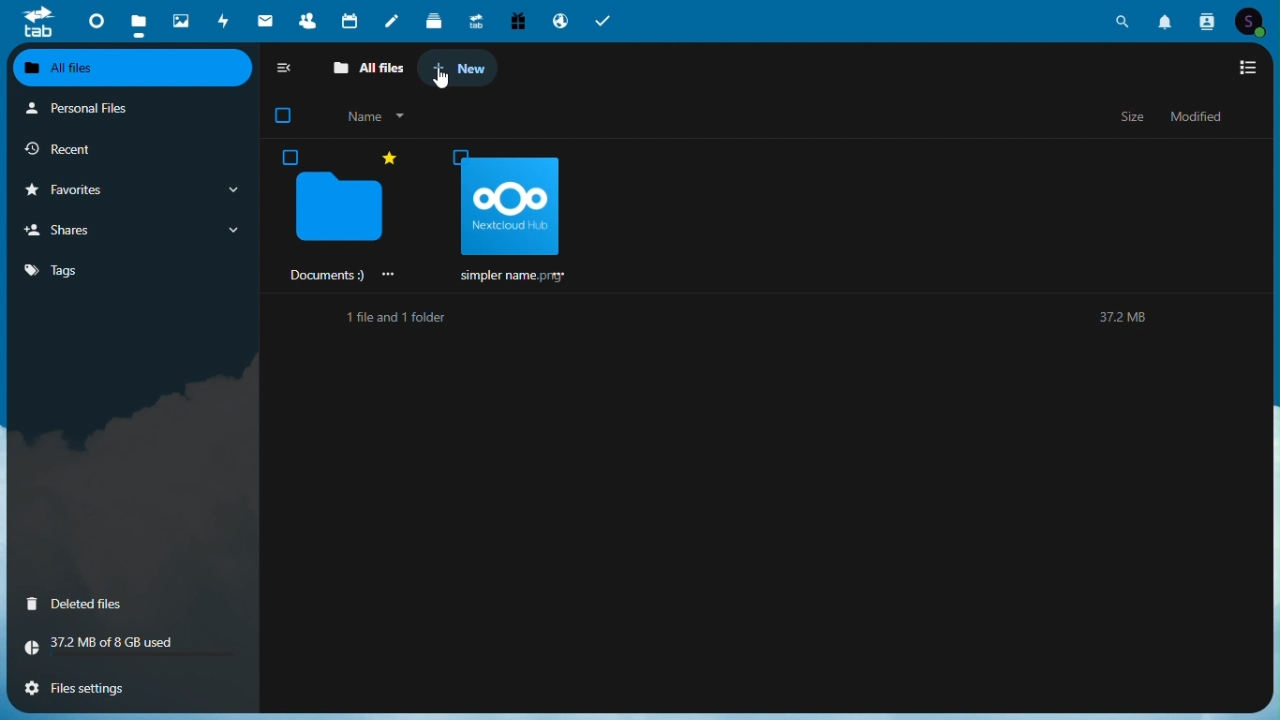  Describe the element at coordinates (1195, 117) in the screenshot. I see `Modified` at that location.